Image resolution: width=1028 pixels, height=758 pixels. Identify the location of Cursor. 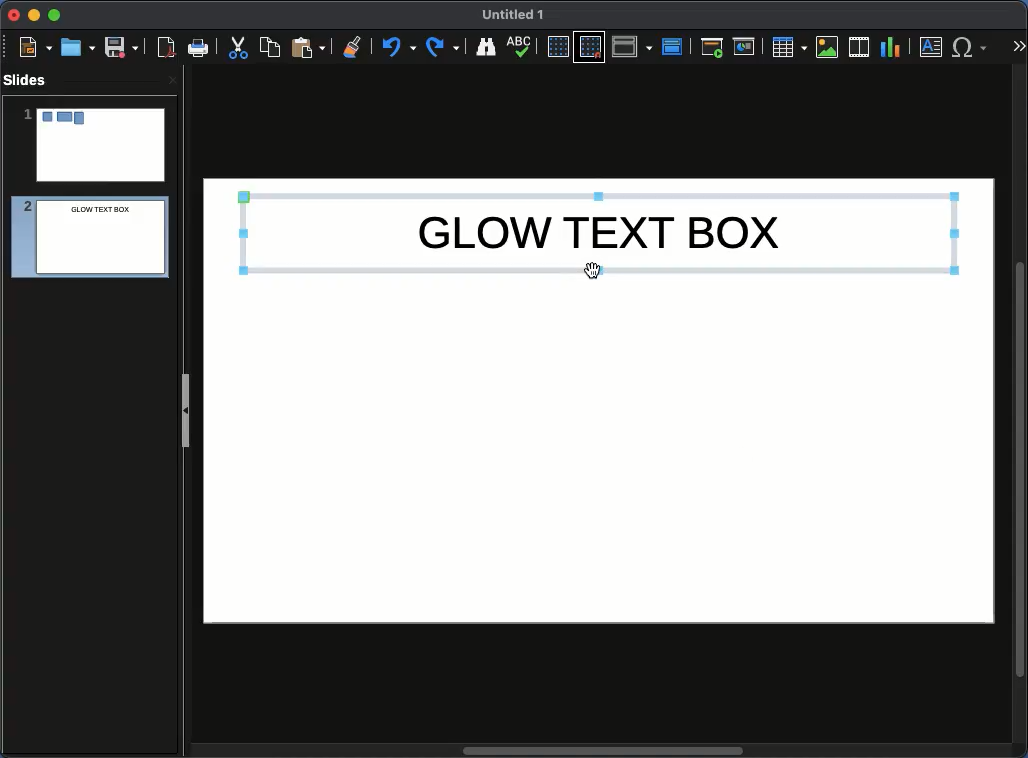
(597, 272).